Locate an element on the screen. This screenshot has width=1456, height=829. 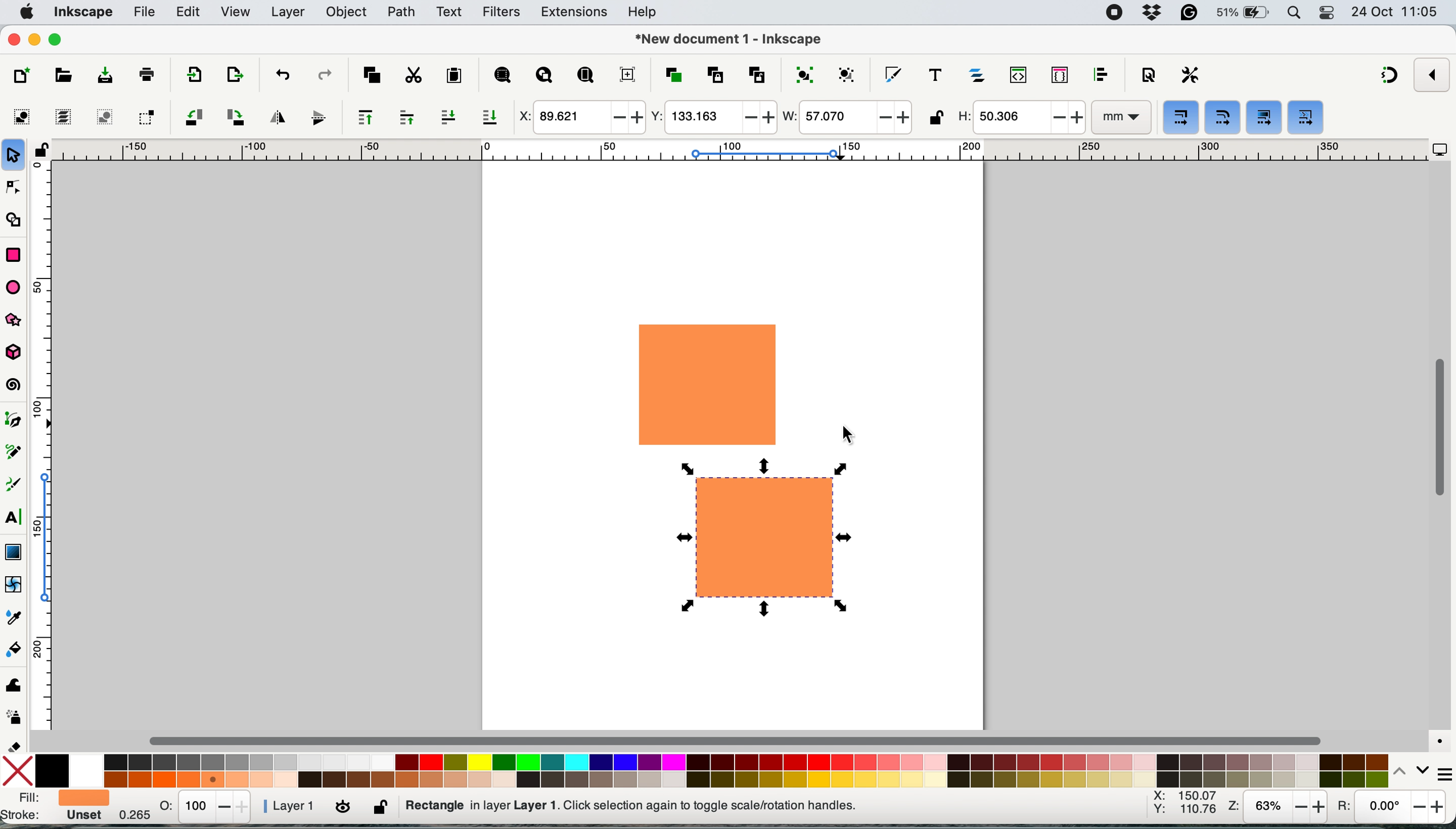
cut is located at coordinates (412, 75).